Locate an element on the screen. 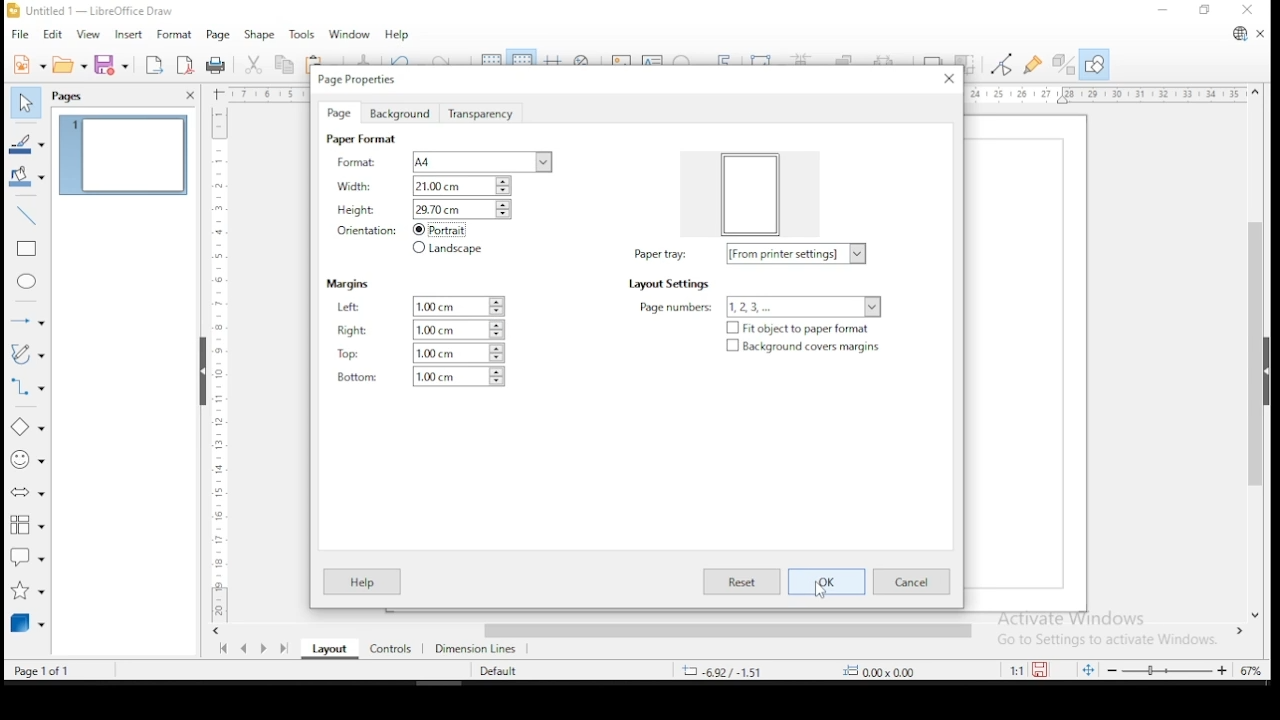 The image size is (1280, 720). lines and arrows is located at coordinates (27, 318).